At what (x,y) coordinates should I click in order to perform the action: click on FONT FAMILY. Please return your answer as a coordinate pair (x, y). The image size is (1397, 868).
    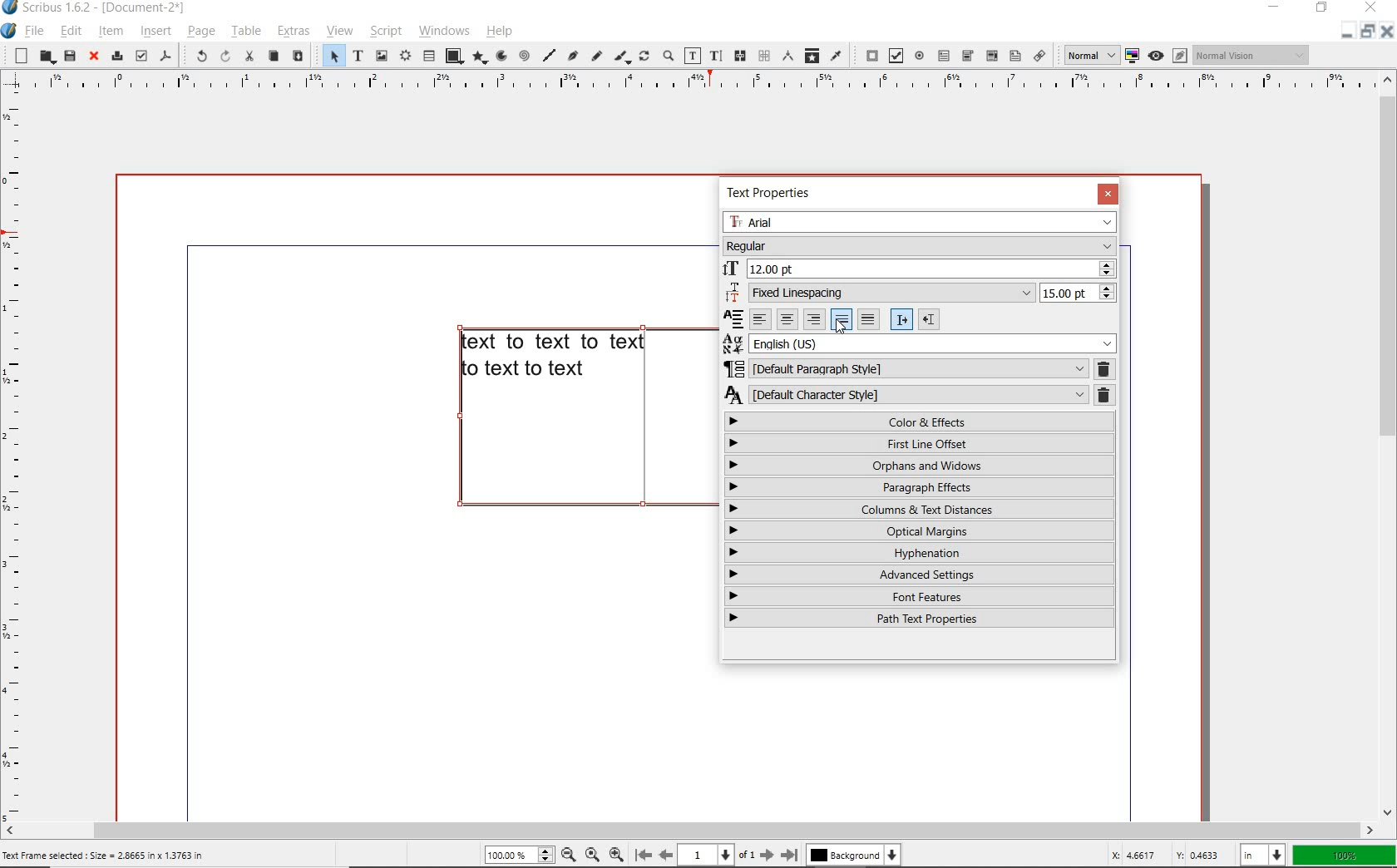
    Looking at the image, I should click on (920, 223).